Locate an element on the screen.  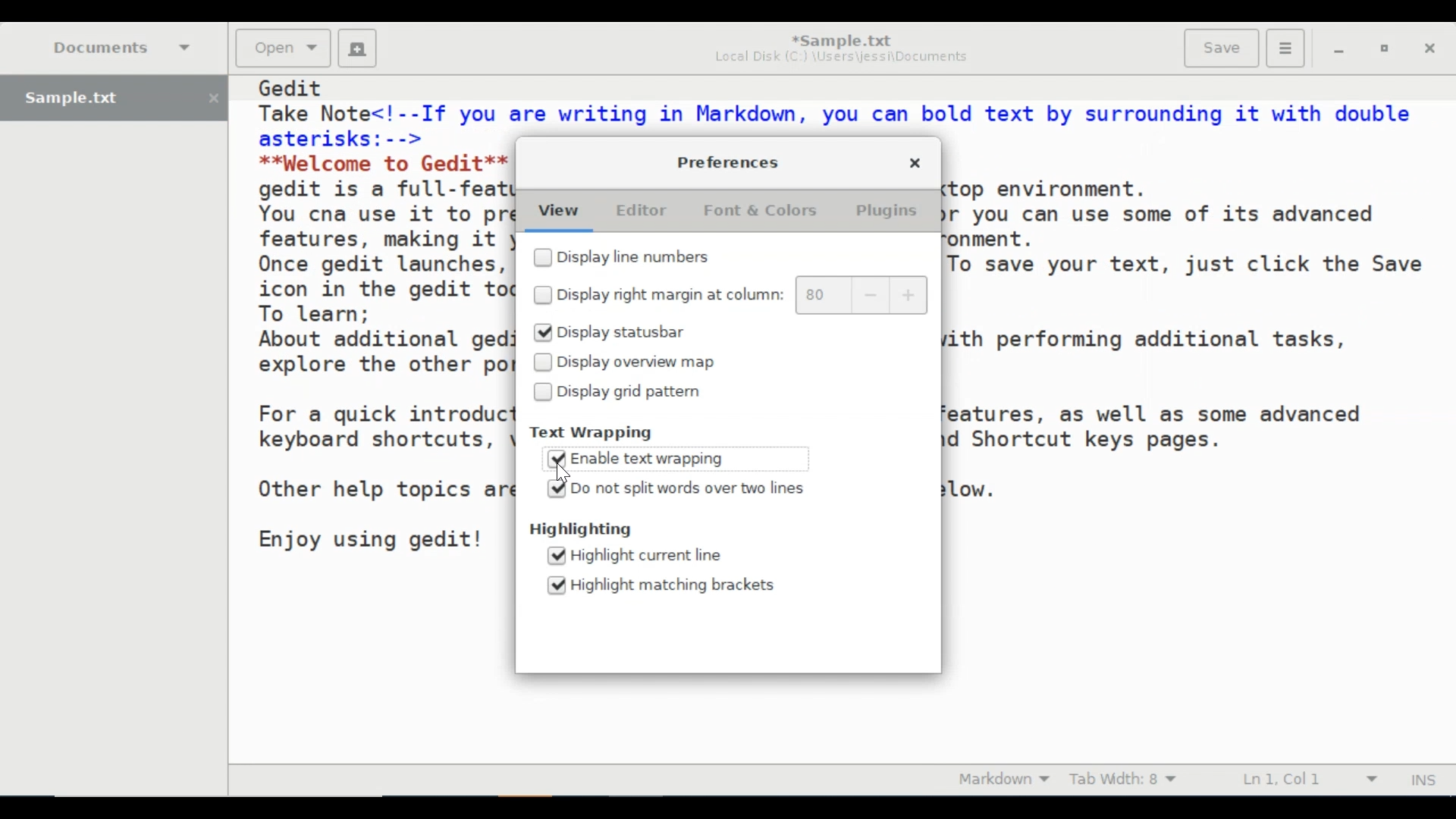
minimize is located at coordinates (1341, 47).